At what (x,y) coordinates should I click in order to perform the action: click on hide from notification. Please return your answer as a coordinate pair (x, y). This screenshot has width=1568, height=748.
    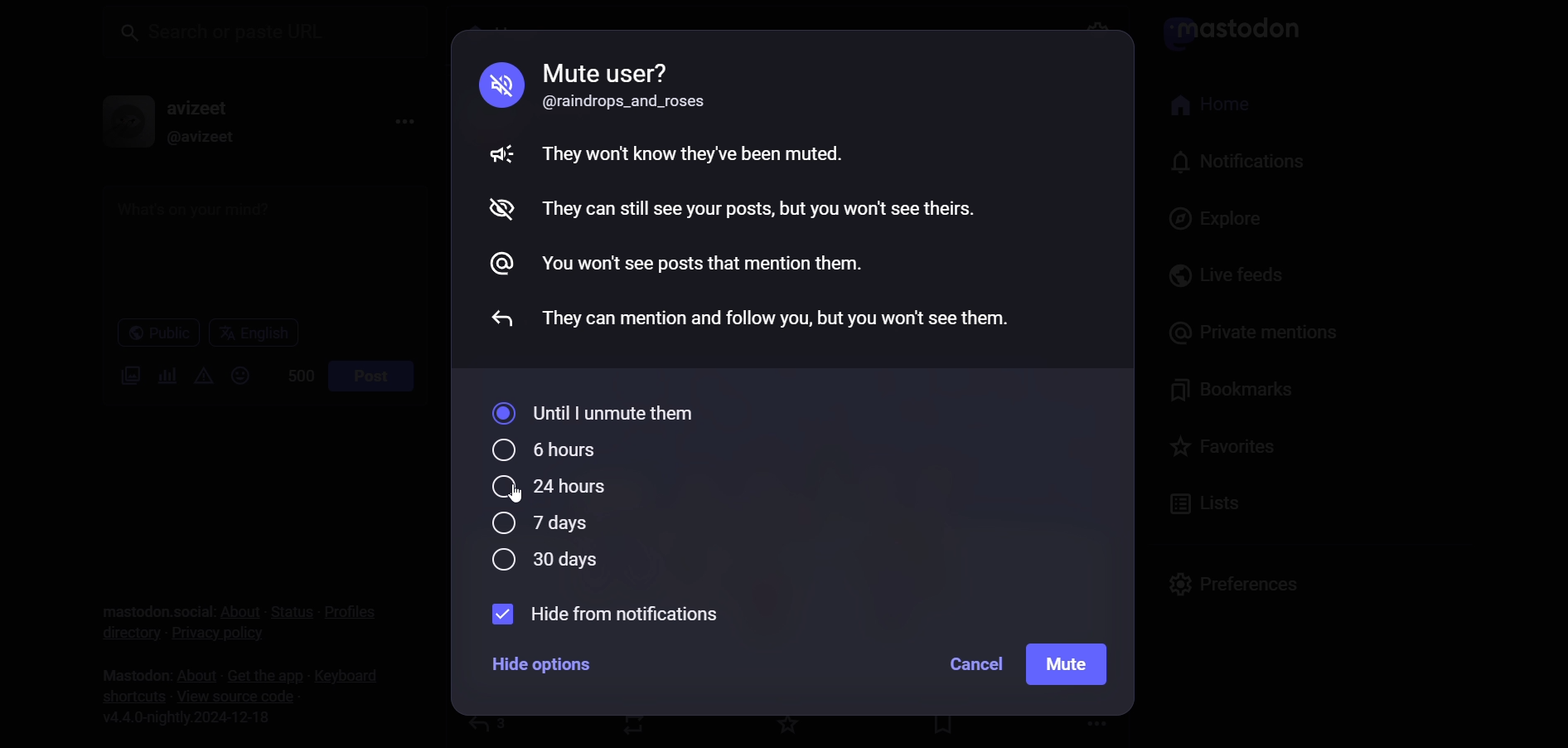
    Looking at the image, I should click on (617, 615).